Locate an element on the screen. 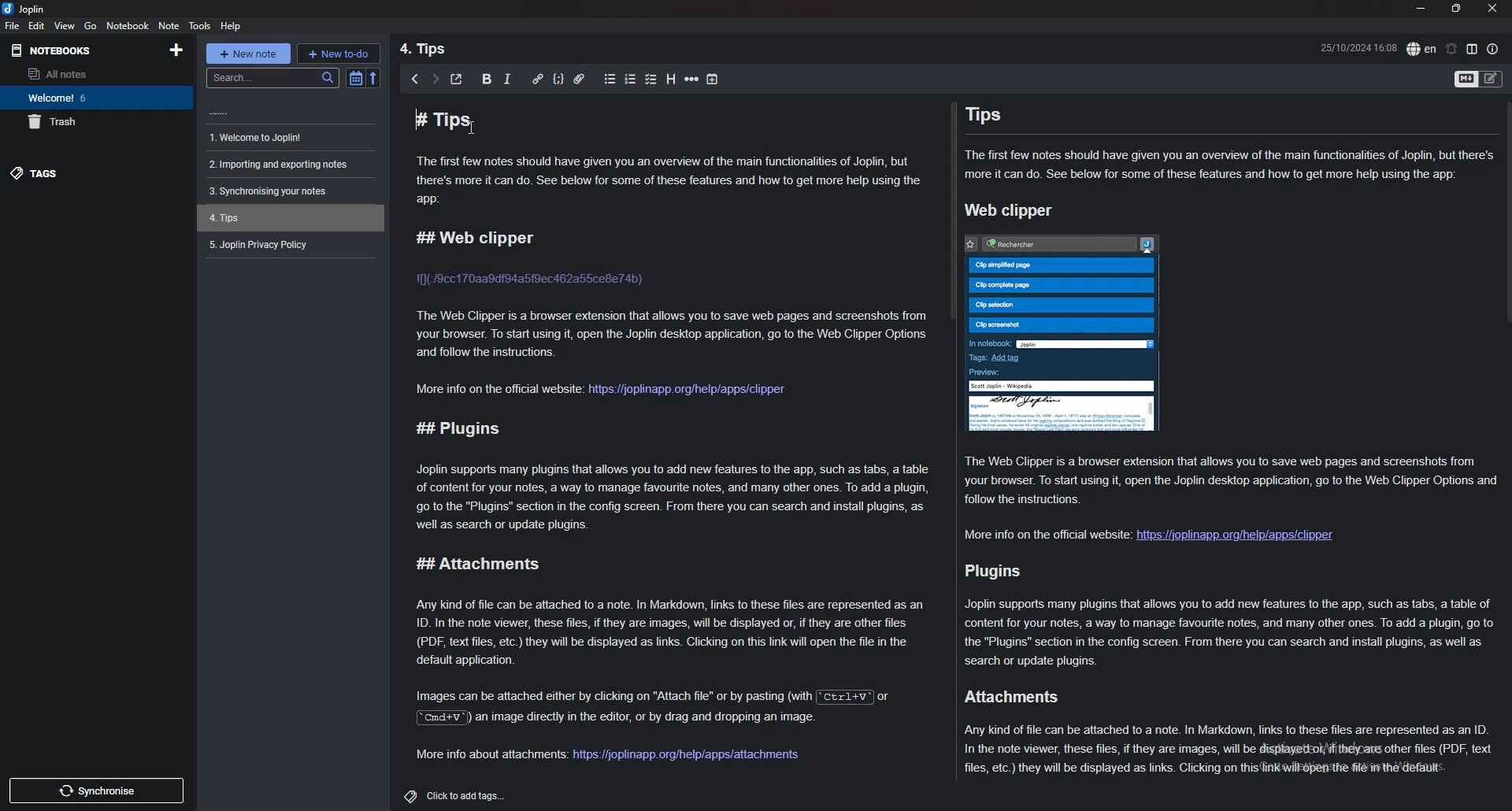 This screenshot has width=1512, height=811. Cursor is located at coordinates (474, 135).